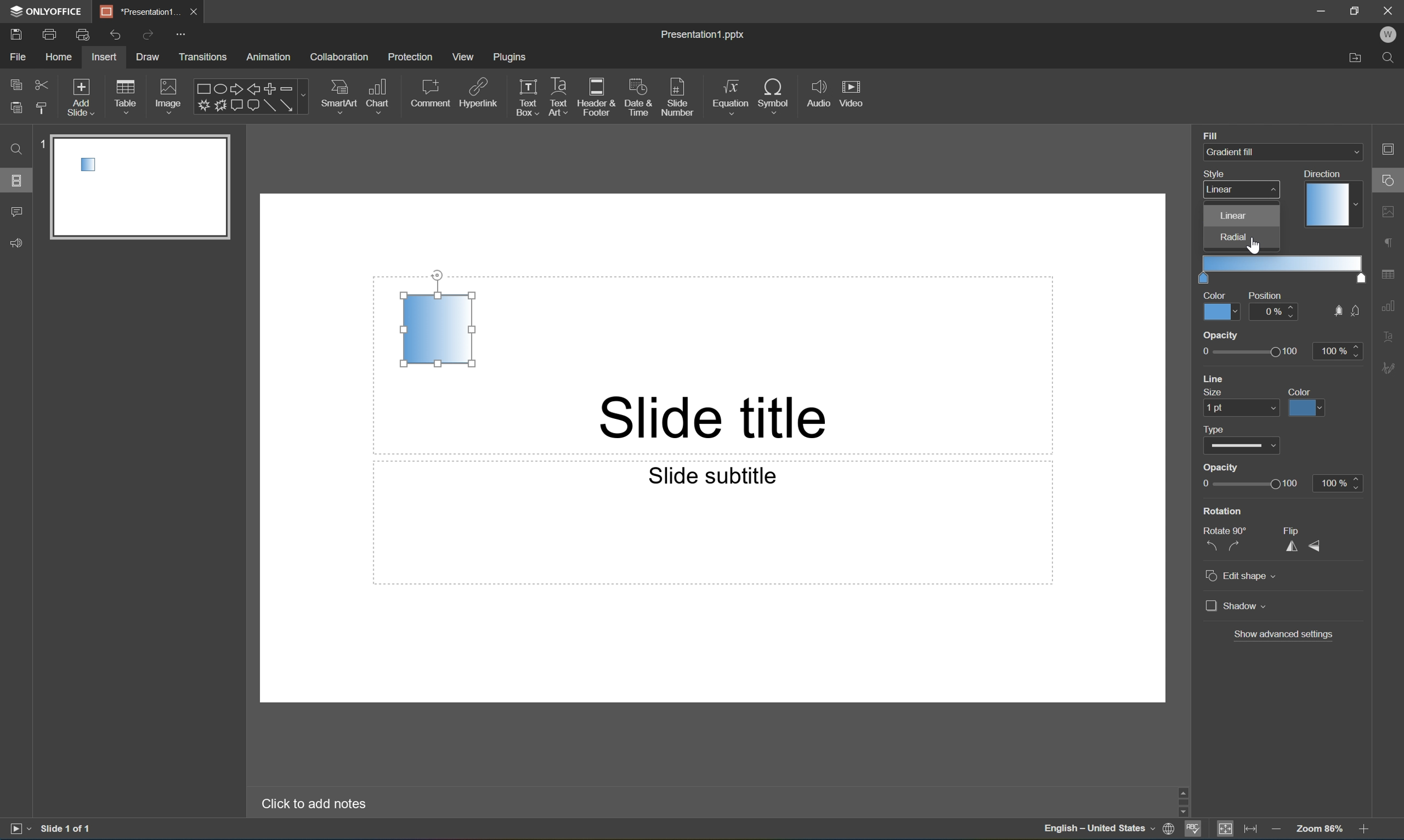  Describe the element at coordinates (1388, 35) in the screenshot. I see `W` at that location.